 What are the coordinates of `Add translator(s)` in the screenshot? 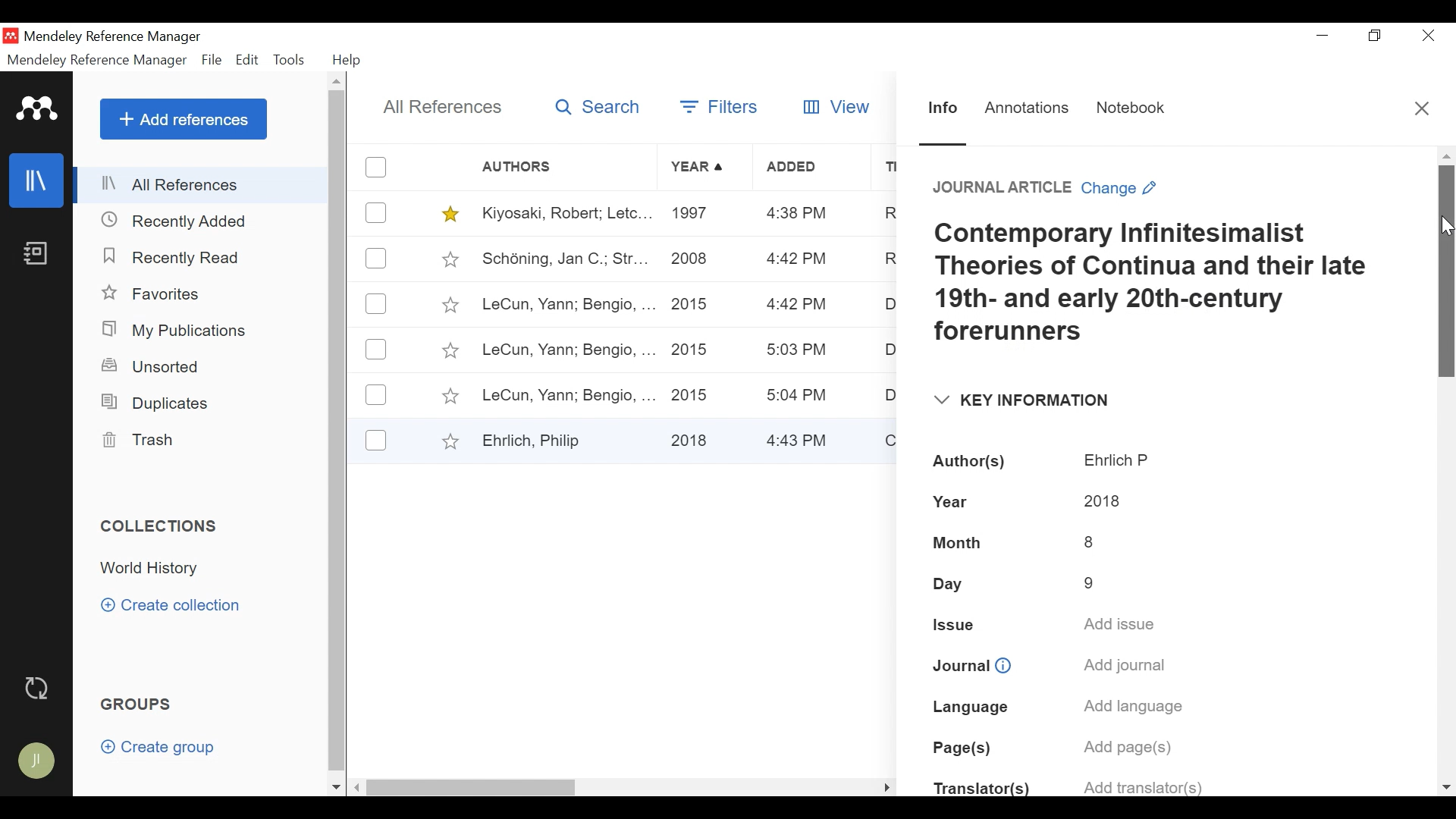 It's located at (1140, 786).